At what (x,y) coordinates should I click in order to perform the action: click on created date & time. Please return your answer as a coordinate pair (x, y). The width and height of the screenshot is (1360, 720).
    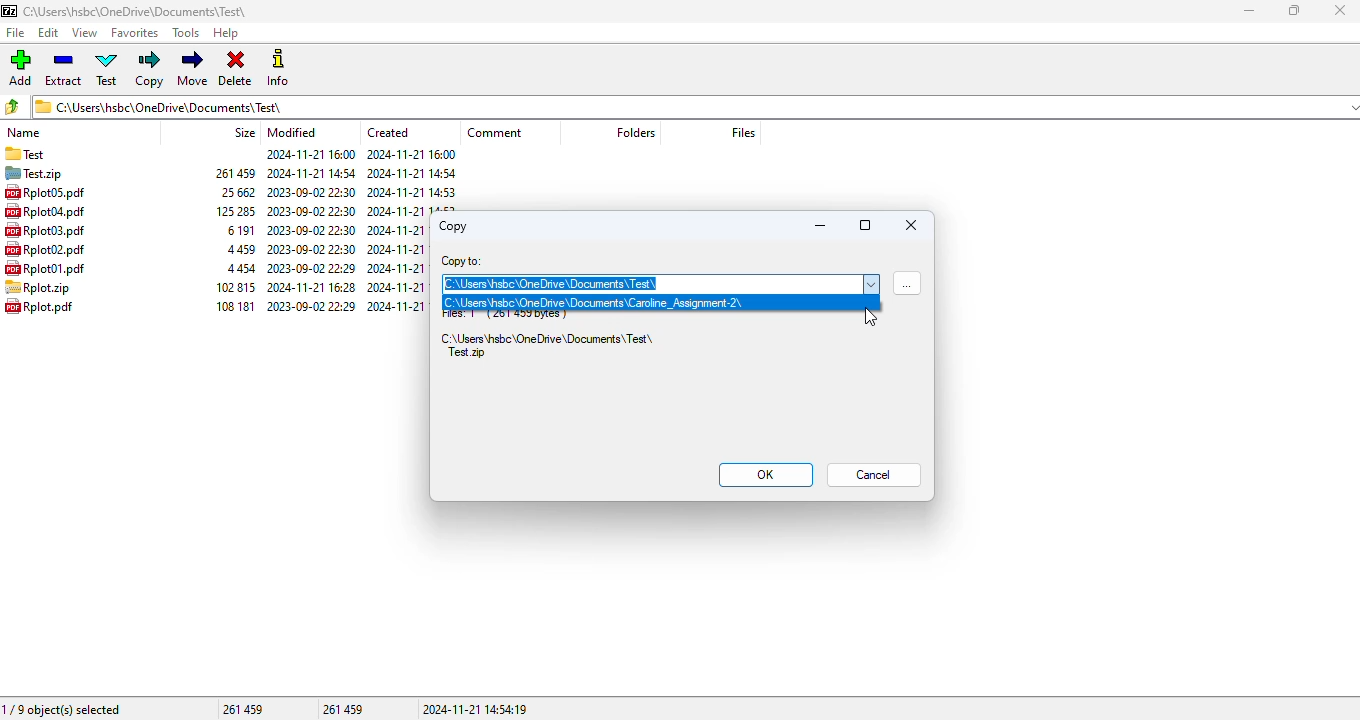
    Looking at the image, I should click on (398, 250).